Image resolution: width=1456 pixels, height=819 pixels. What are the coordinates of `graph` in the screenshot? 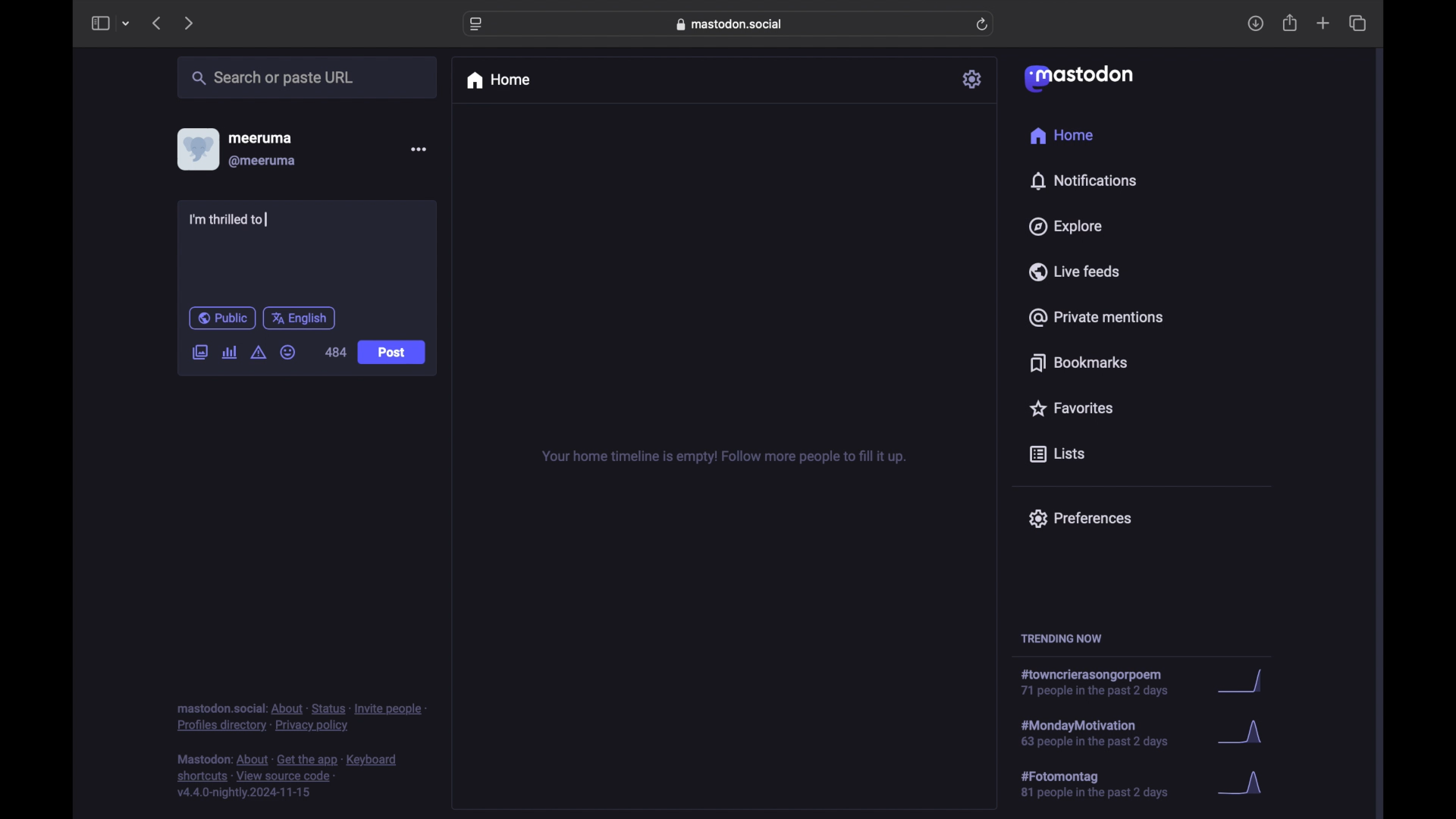 It's located at (1246, 682).